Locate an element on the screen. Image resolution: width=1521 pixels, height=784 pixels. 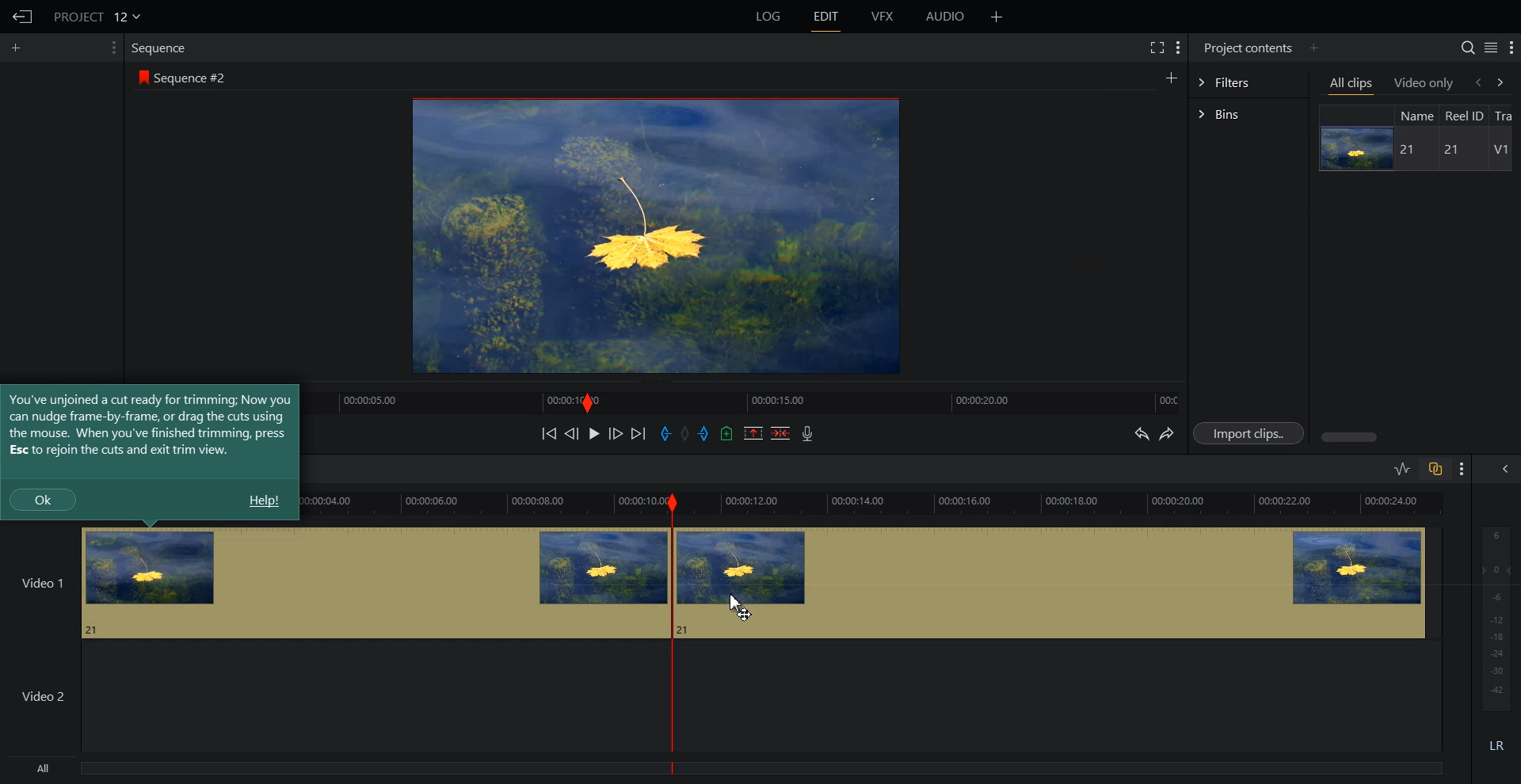
All is located at coordinates (331, 770).